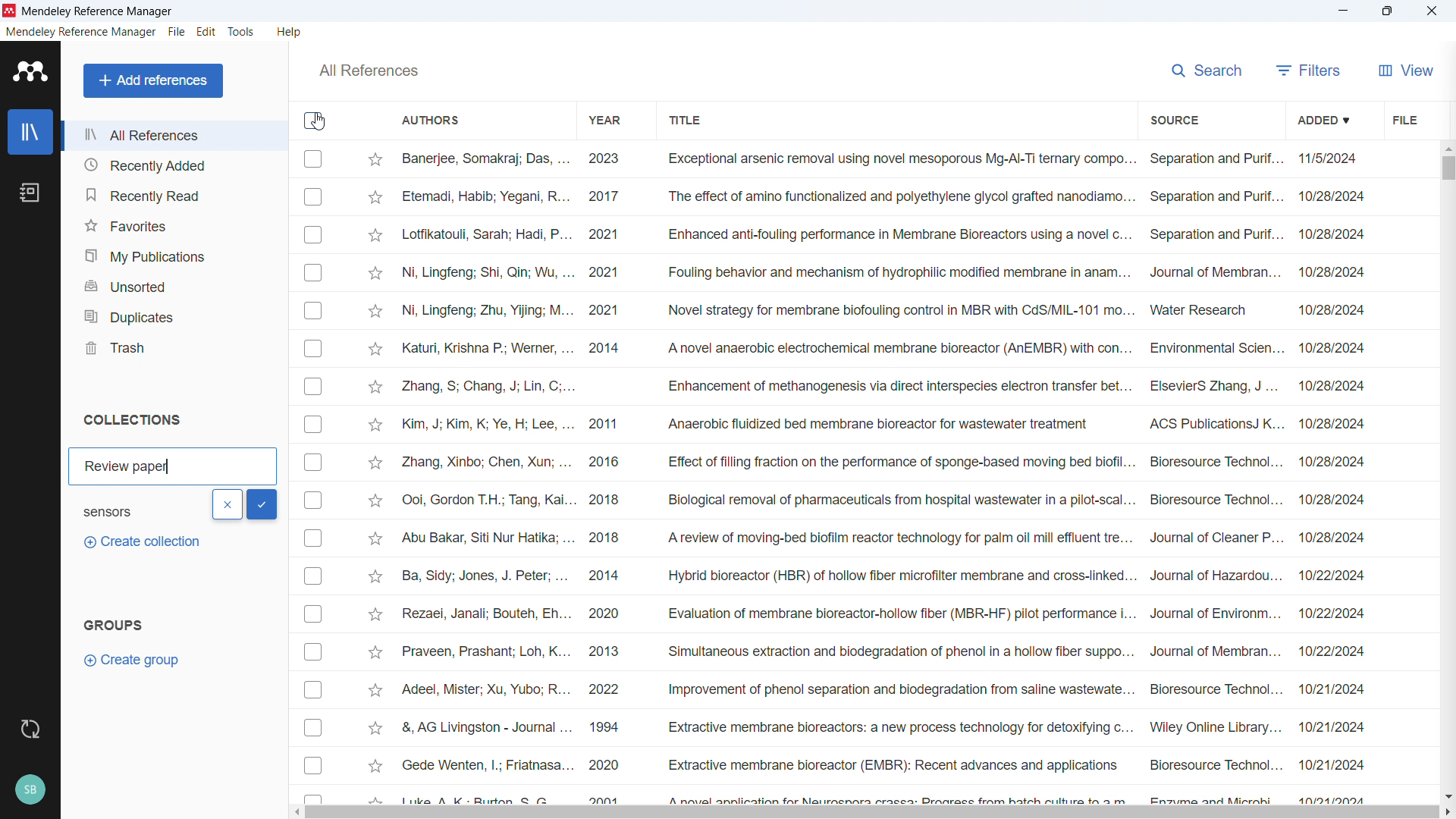 This screenshot has height=819, width=1456. What do you see at coordinates (884, 196) in the screenshot?
I see `Etemadi, Habib; Yegani, R... 2017 The effect of amino functionalized and polyethylene glycol grafted nanodiamo... Separation and Purif... 10/28/2024` at bounding box center [884, 196].